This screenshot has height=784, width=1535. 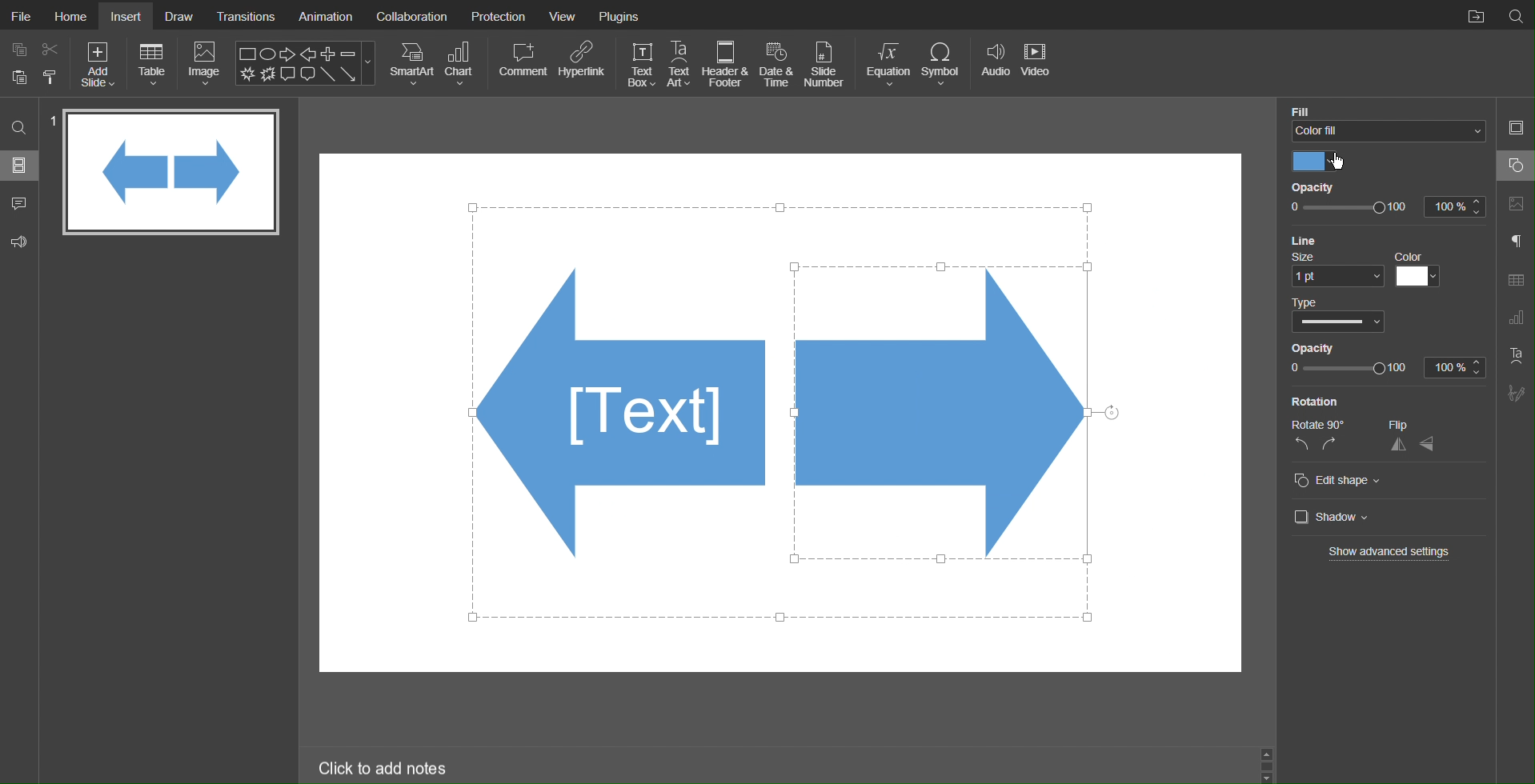 I want to click on Search, so click(x=18, y=130).